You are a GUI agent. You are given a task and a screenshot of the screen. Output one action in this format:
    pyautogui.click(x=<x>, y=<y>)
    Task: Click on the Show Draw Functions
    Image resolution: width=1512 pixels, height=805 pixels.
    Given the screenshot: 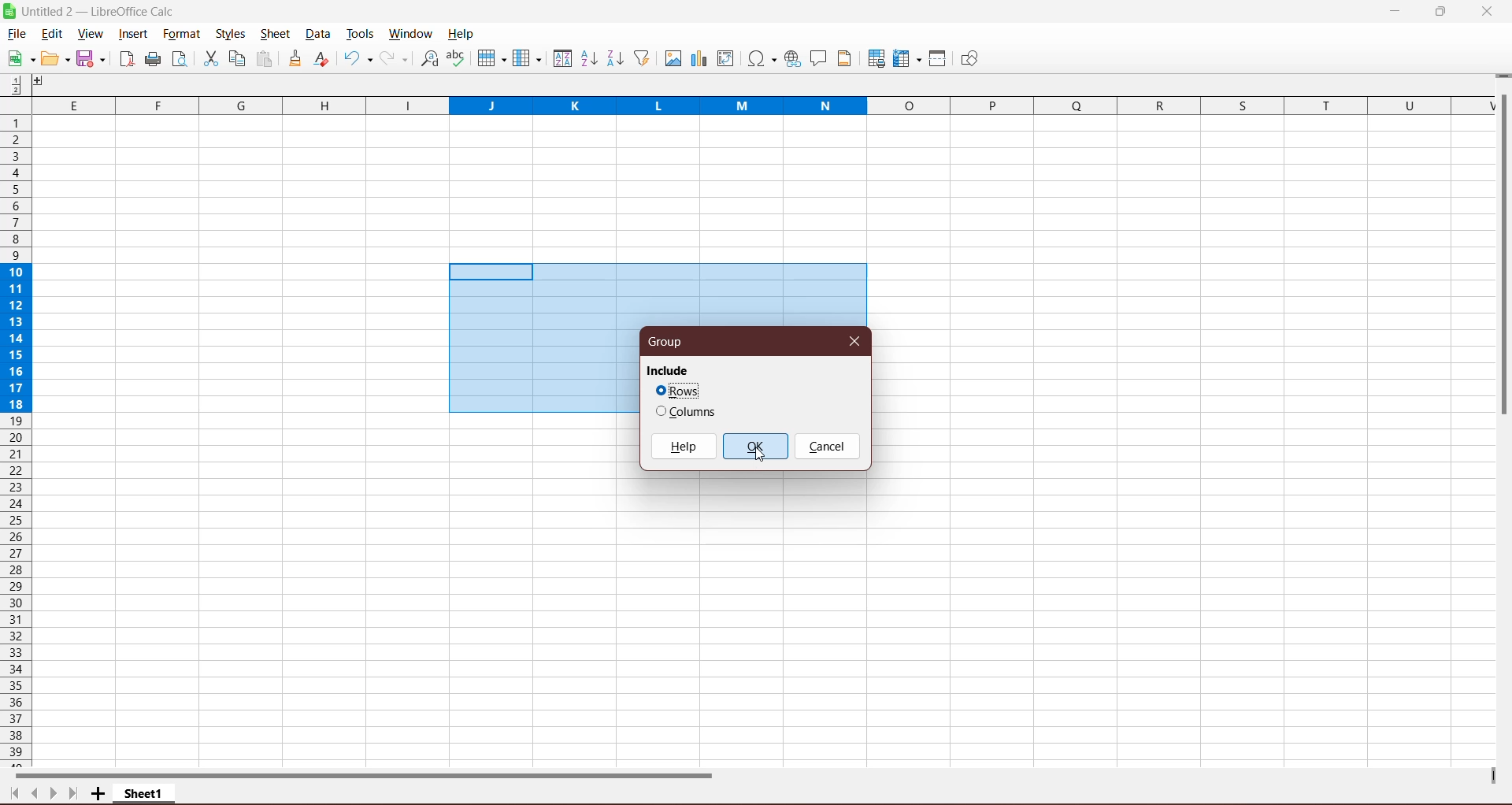 What is the action you would take?
    pyautogui.click(x=969, y=59)
    